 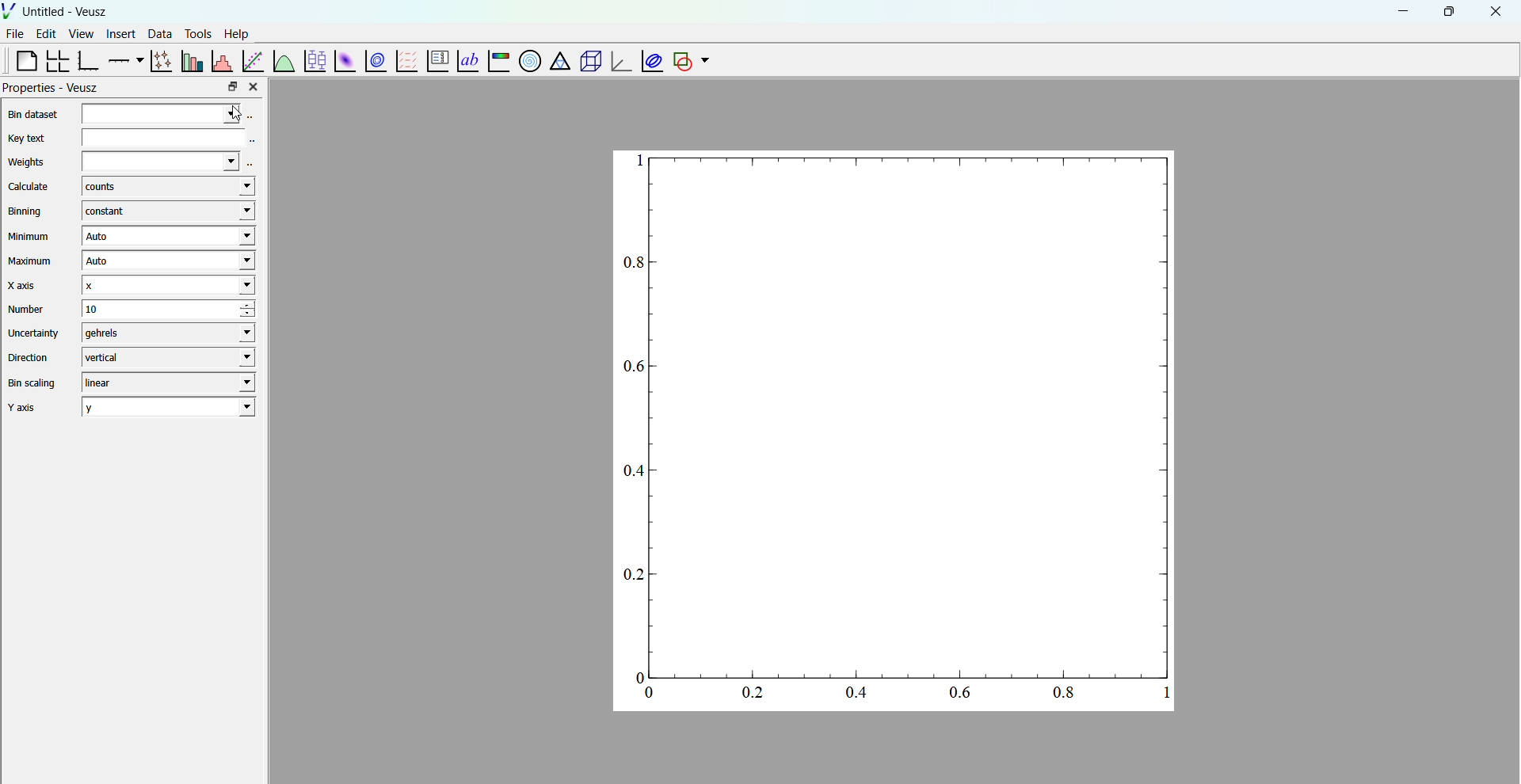 What do you see at coordinates (31, 356) in the screenshot?
I see `Direction` at bounding box center [31, 356].